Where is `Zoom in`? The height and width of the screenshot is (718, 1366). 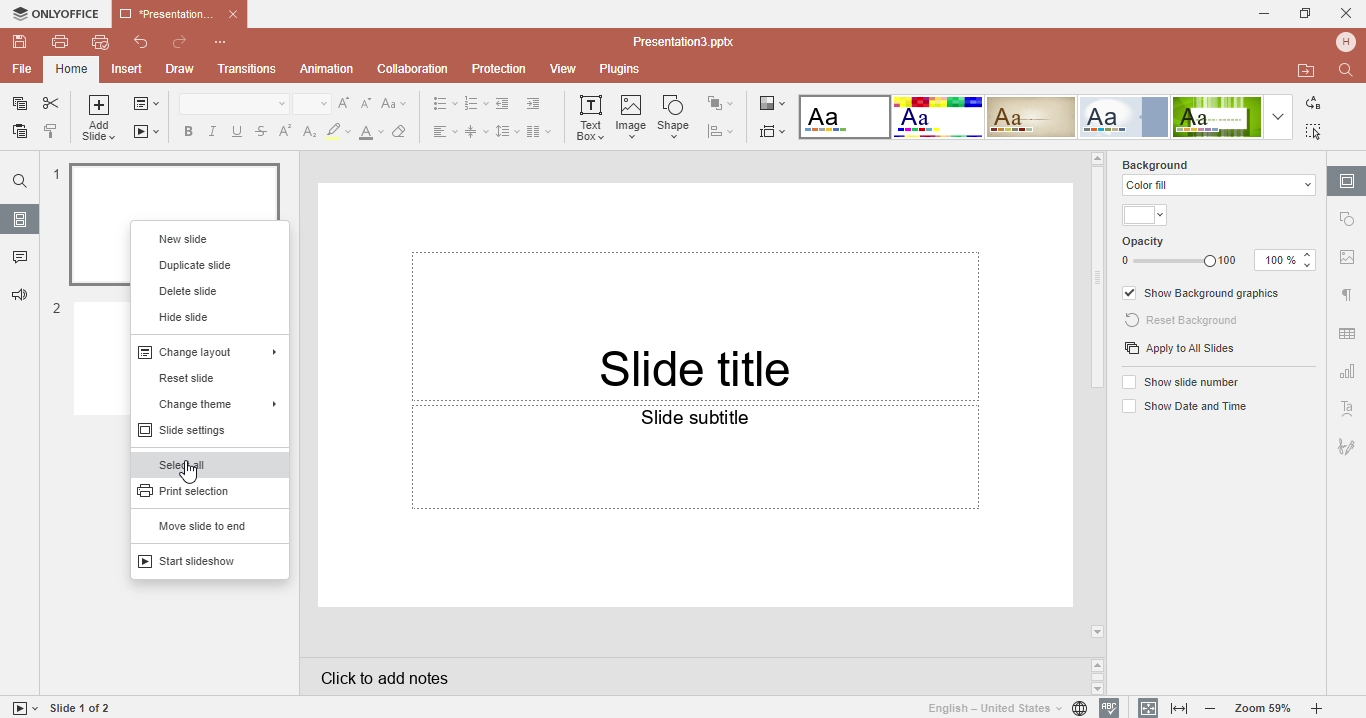
Zoom in is located at coordinates (1321, 709).